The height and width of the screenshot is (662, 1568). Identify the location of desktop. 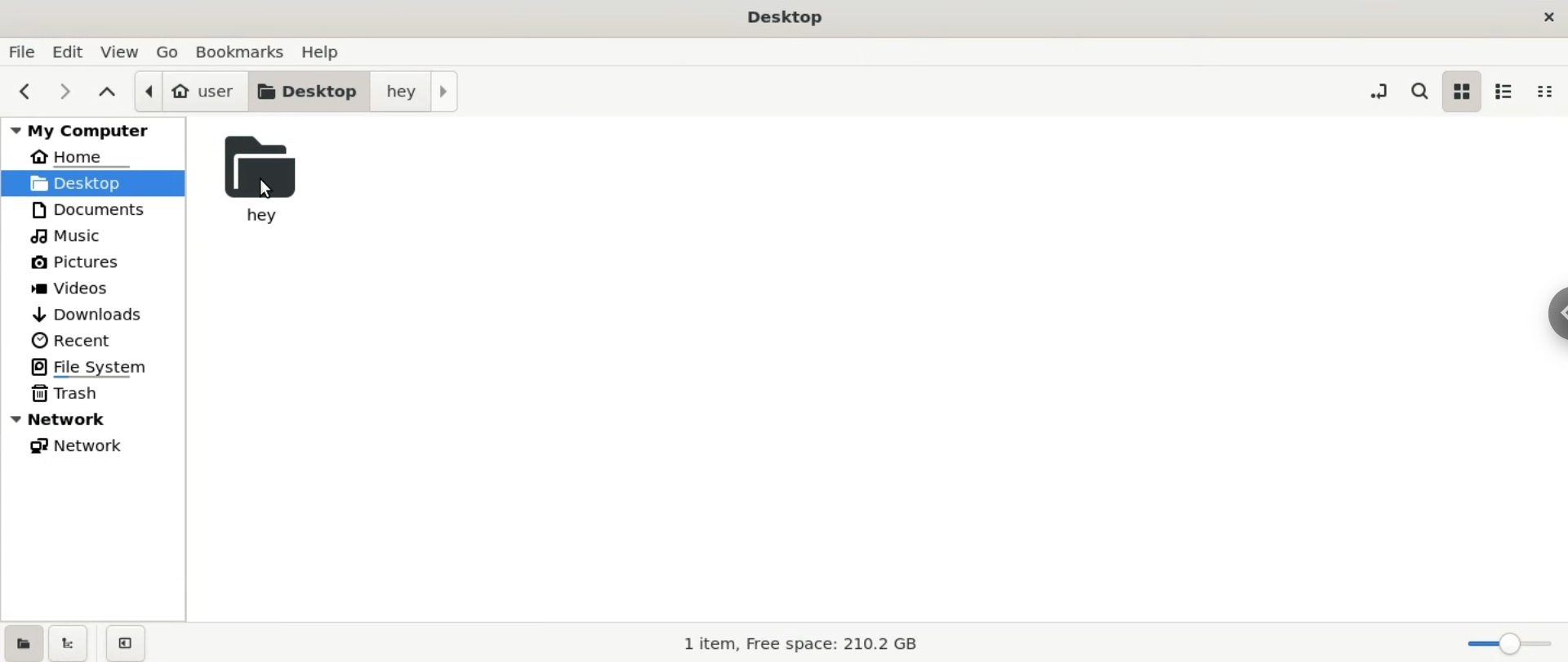
(310, 92).